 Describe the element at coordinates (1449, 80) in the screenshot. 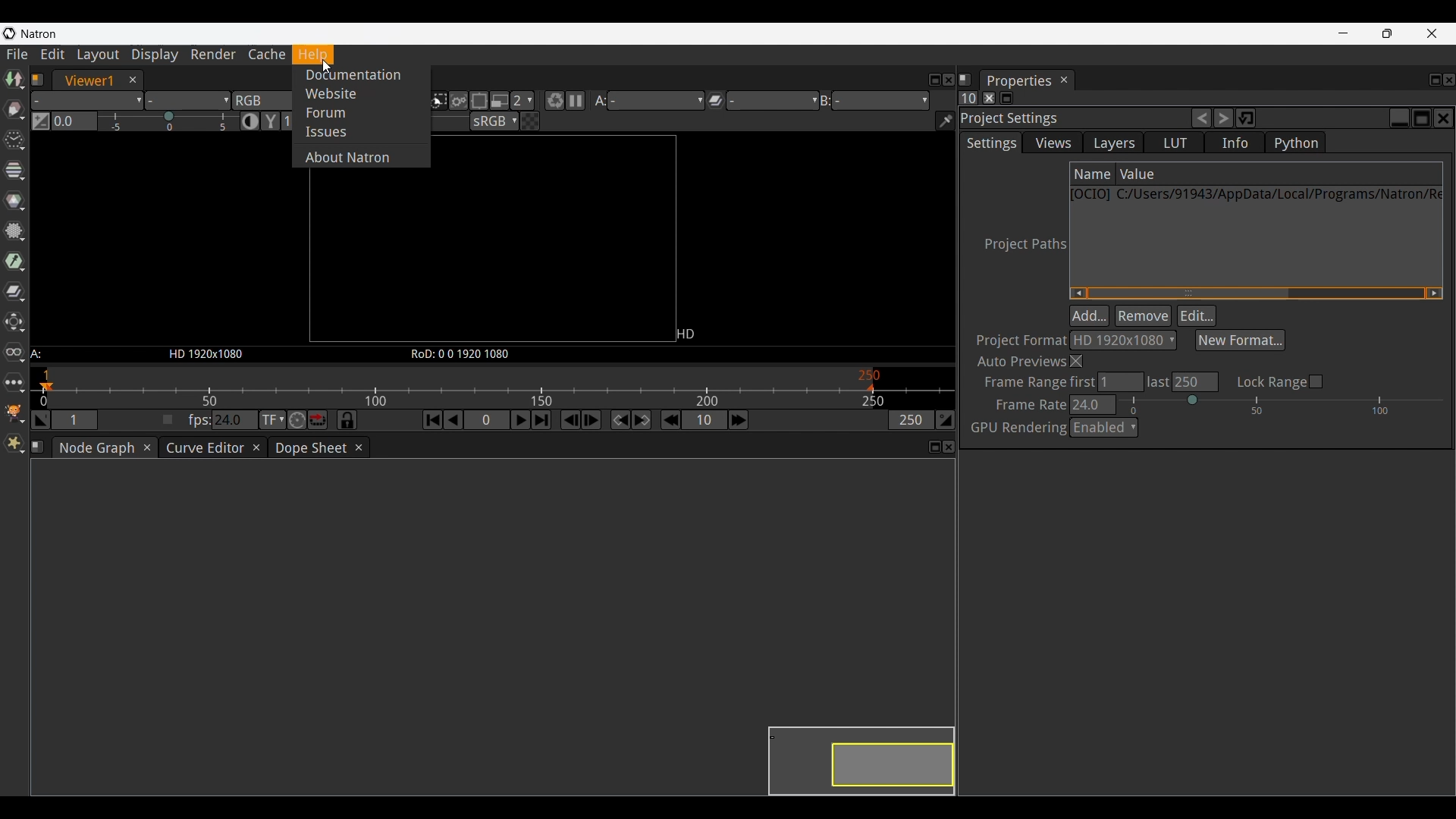

I see `Close properties panel` at that location.